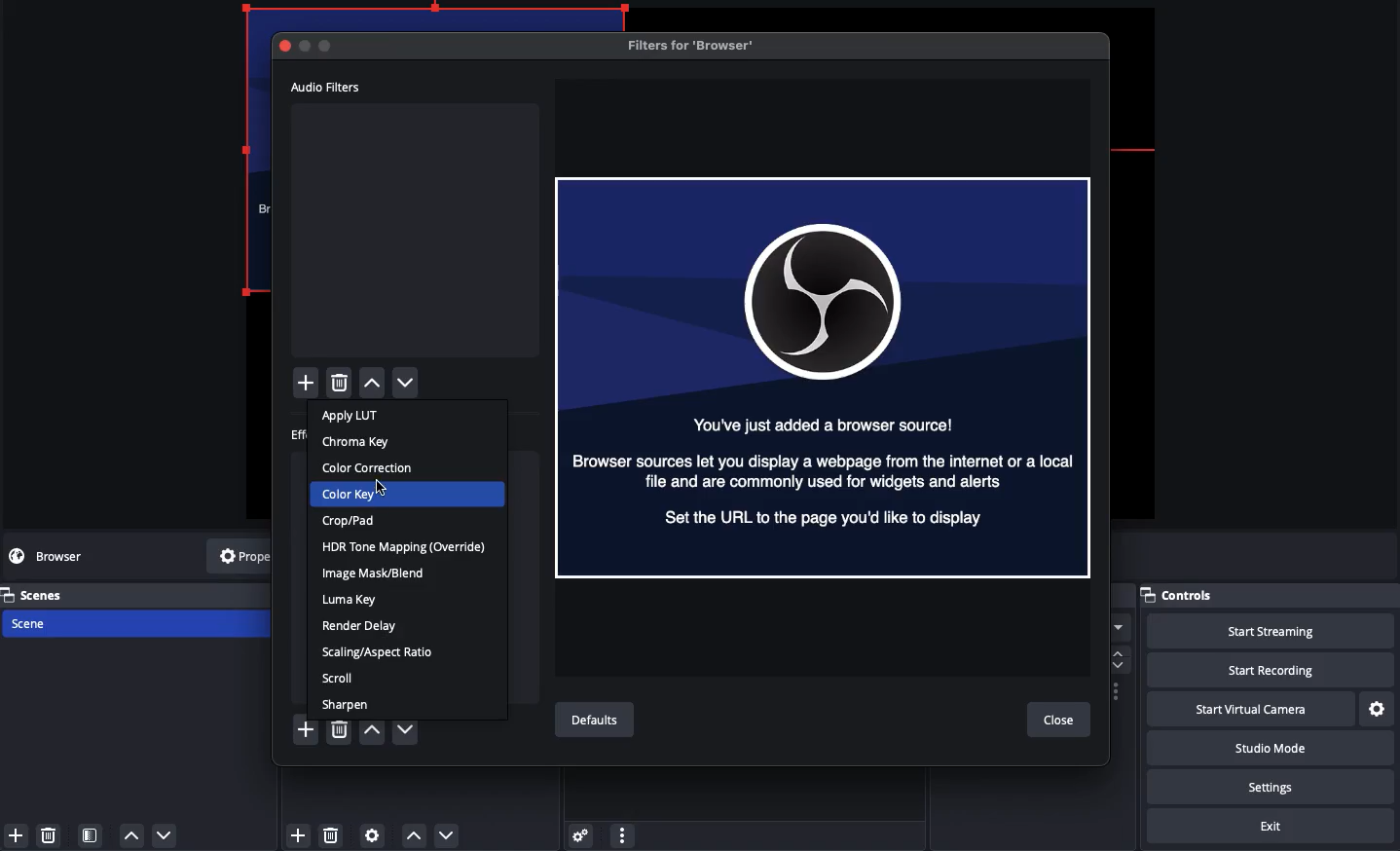  Describe the element at coordinates (131, 834) in the screenshot. I see `up` at that location.